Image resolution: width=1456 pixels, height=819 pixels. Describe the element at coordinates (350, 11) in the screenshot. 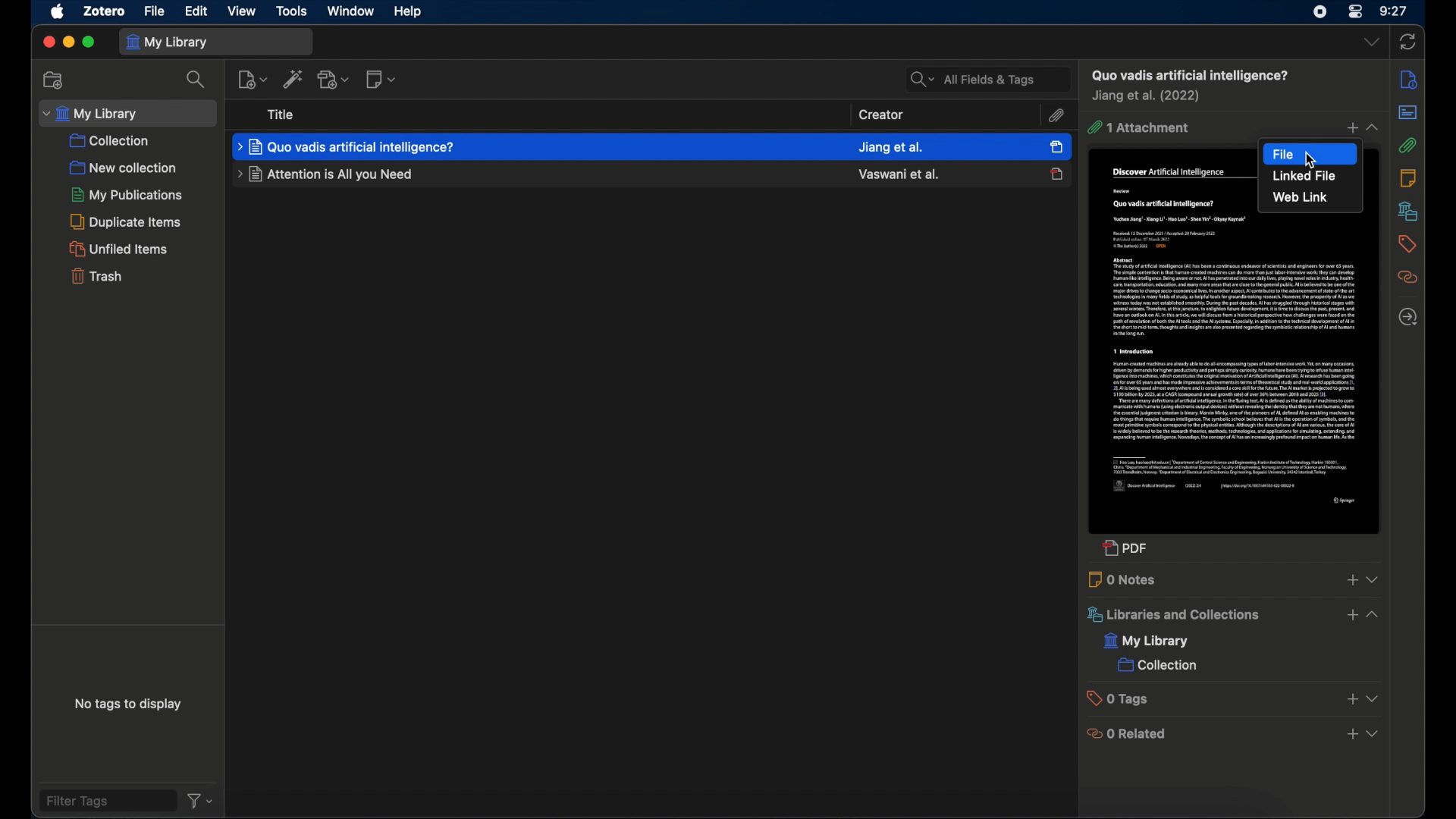

I see `window` at that location.